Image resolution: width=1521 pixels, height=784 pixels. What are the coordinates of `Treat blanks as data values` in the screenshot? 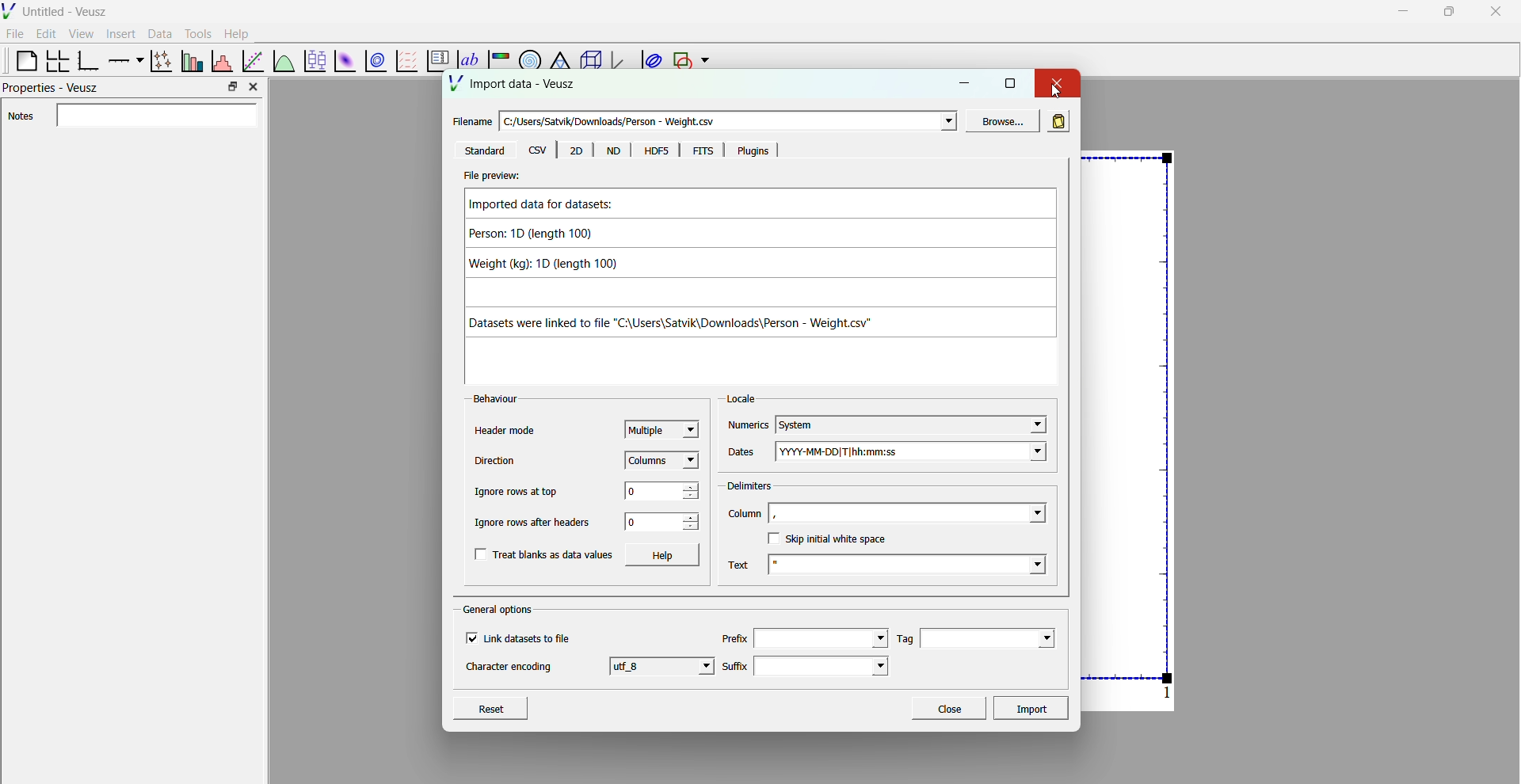 It's located at (543, 554).